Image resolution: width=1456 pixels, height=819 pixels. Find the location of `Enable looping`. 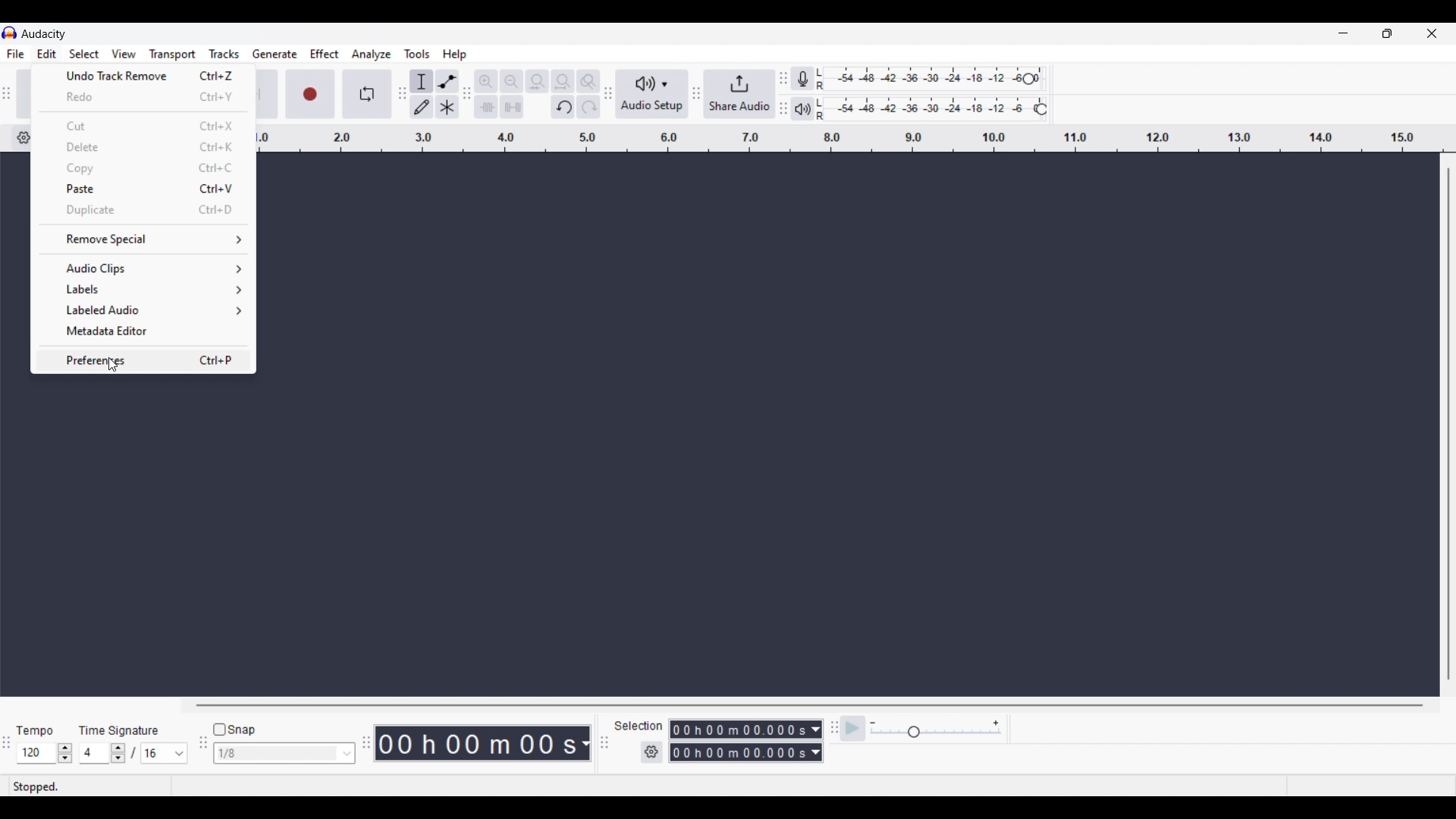

Enable looping is located at coordinates (368, 94).